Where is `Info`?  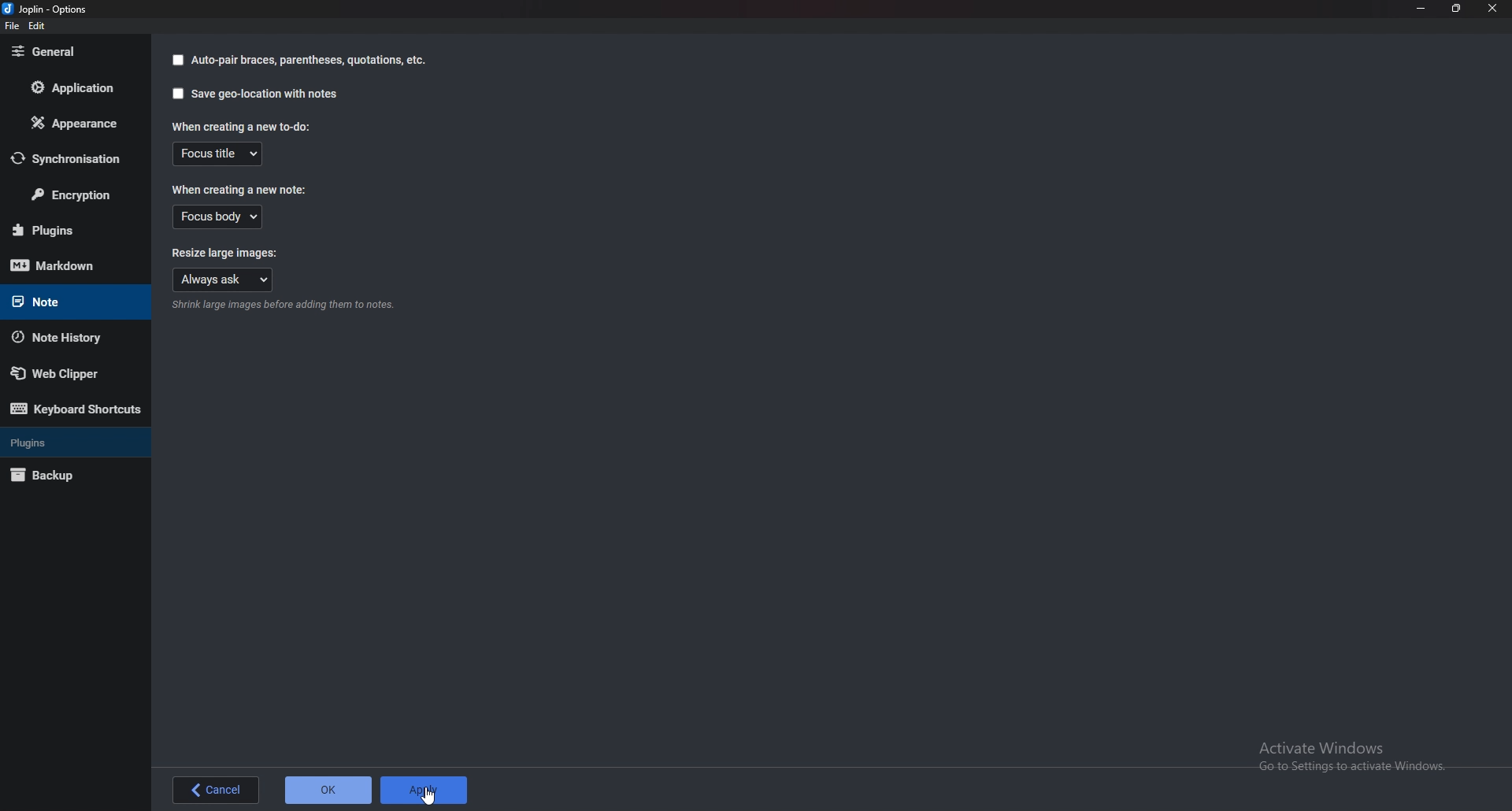 Info is located at coordinates (283, 306).